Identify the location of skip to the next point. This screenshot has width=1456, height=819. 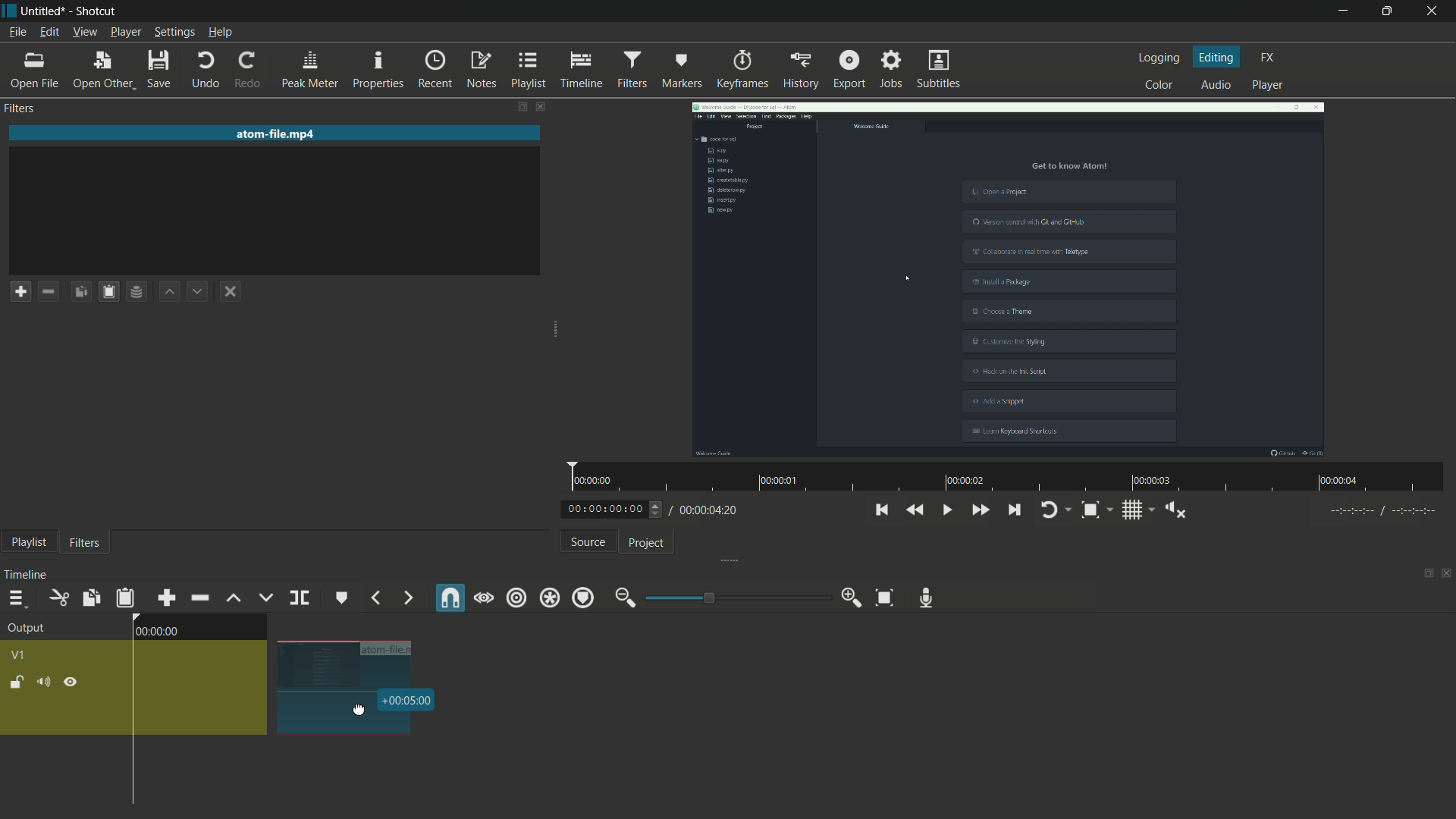
(1014, 510).